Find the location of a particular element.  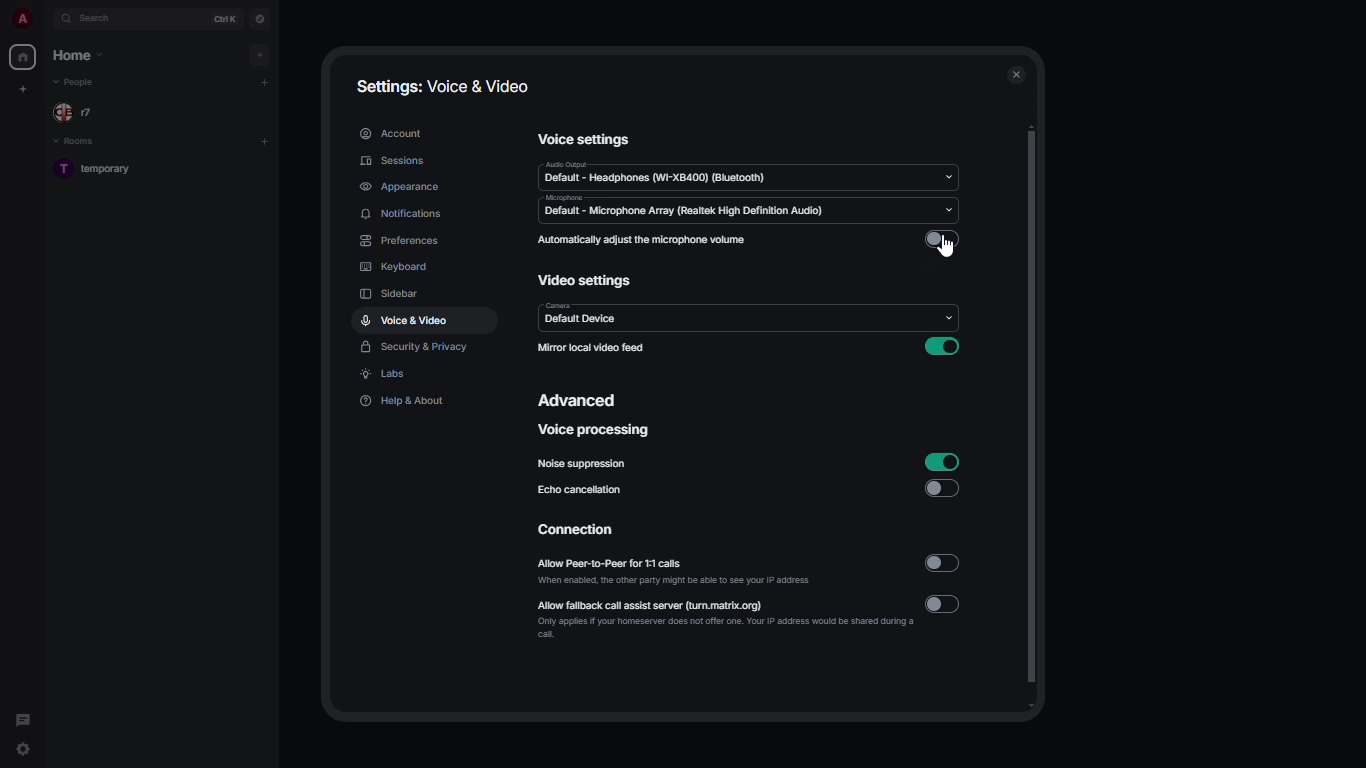

disabled is located at coordinates (947, 603).